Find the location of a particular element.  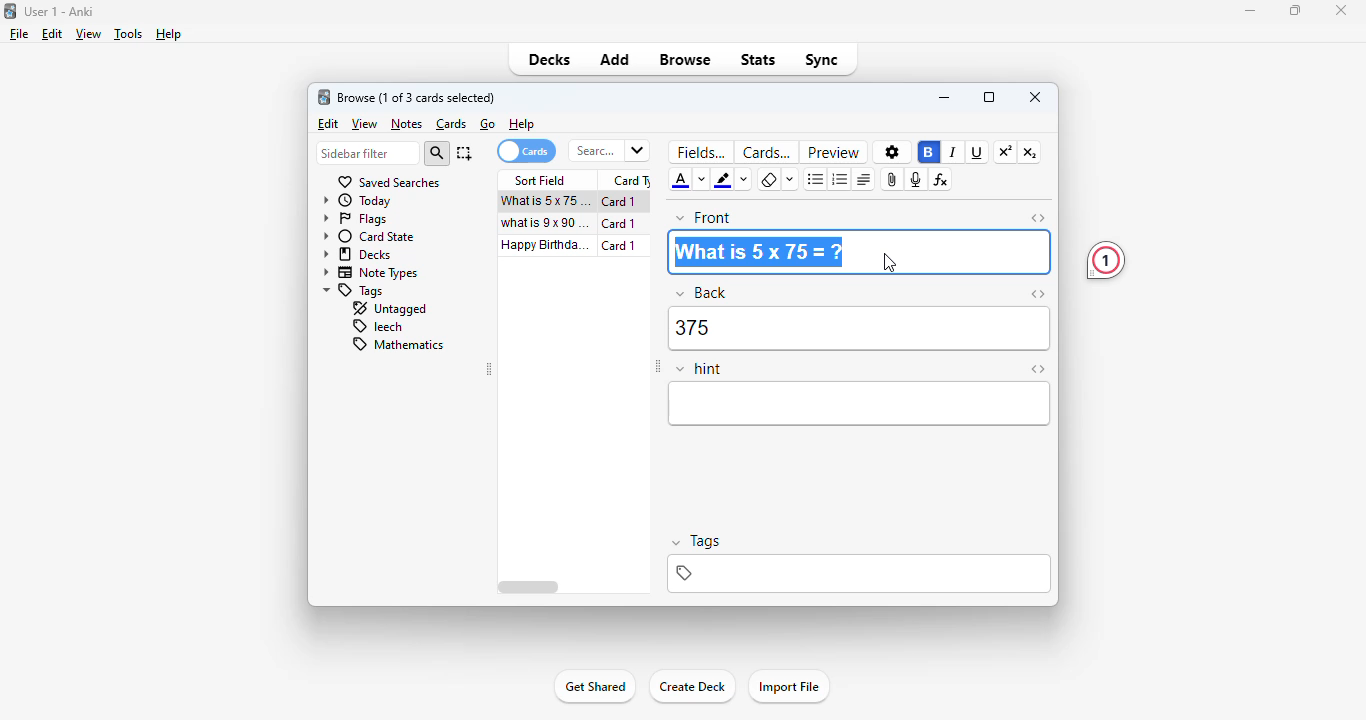

sort field is located at coordinates (541, 181).